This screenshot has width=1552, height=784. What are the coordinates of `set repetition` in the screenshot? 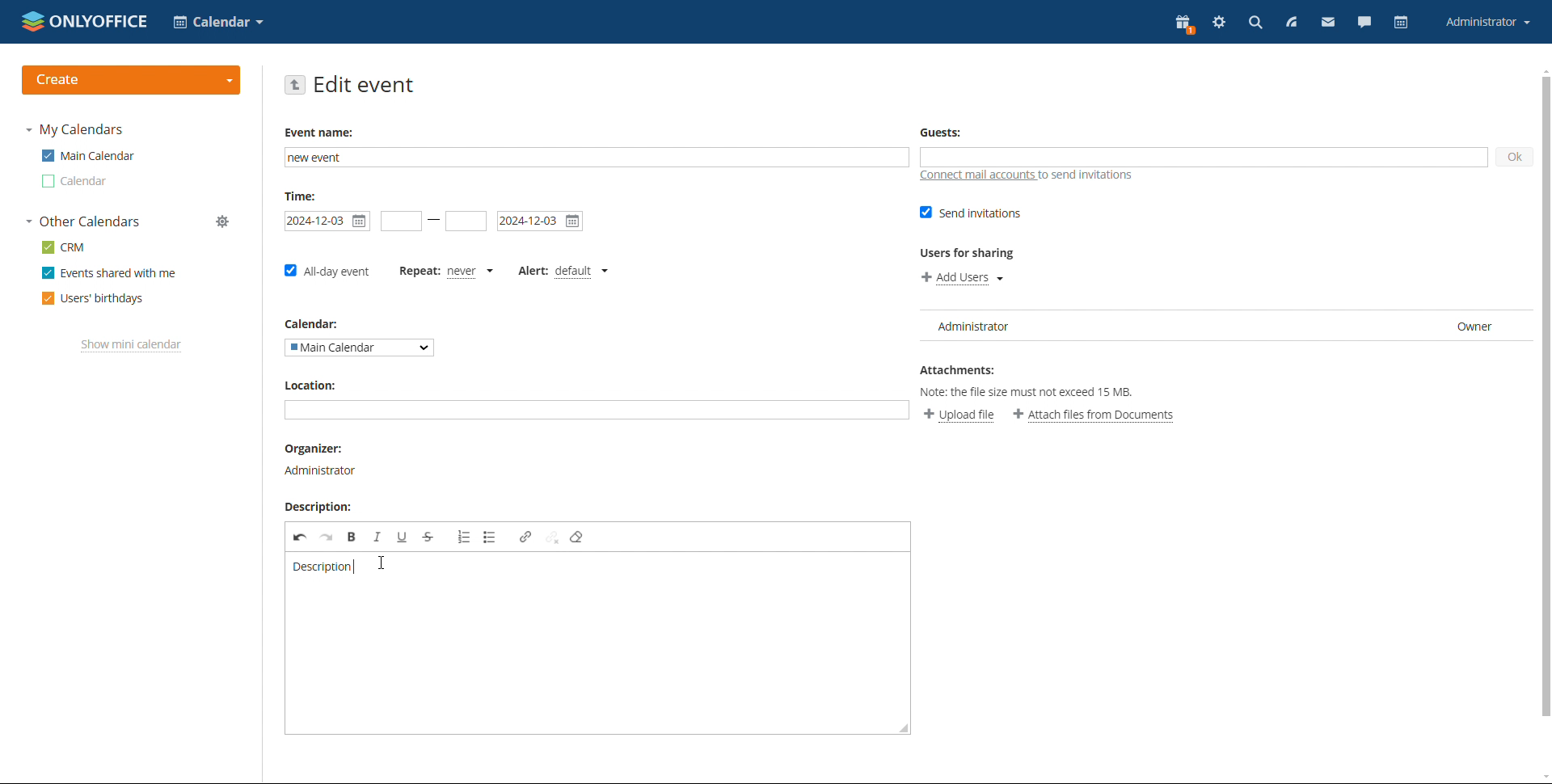 It's located at (417, 271).